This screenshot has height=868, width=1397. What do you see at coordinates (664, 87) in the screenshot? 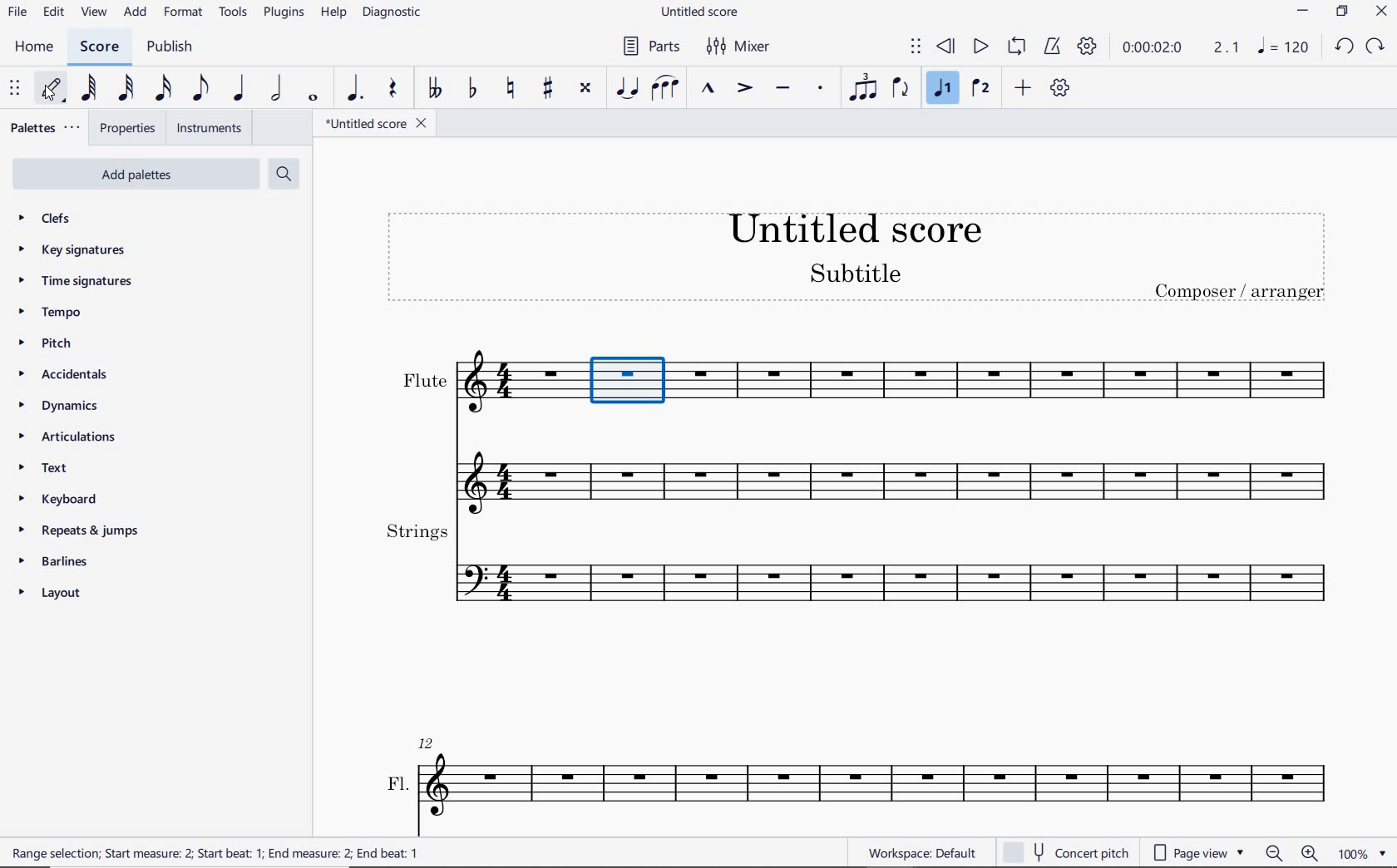
I see `SLUR` at bounding box center [664, 87].